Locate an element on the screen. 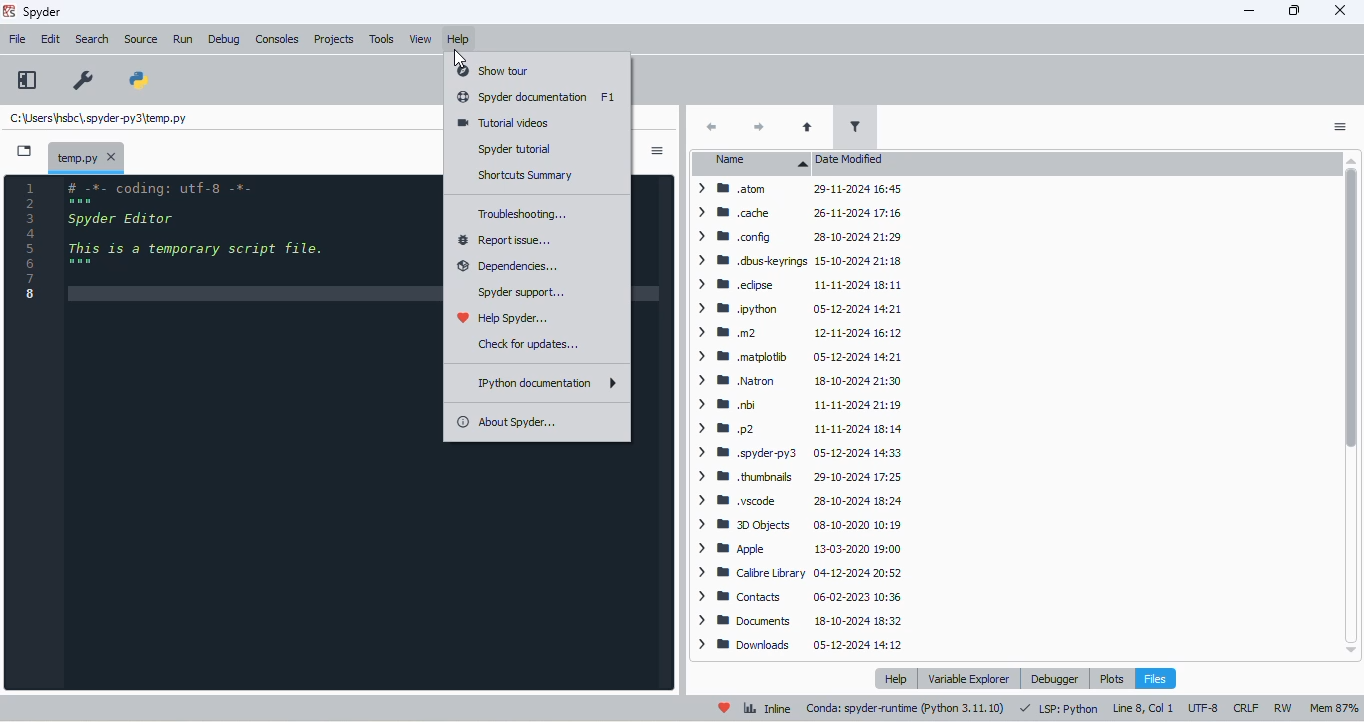  help is located at coordinates (895, 678).